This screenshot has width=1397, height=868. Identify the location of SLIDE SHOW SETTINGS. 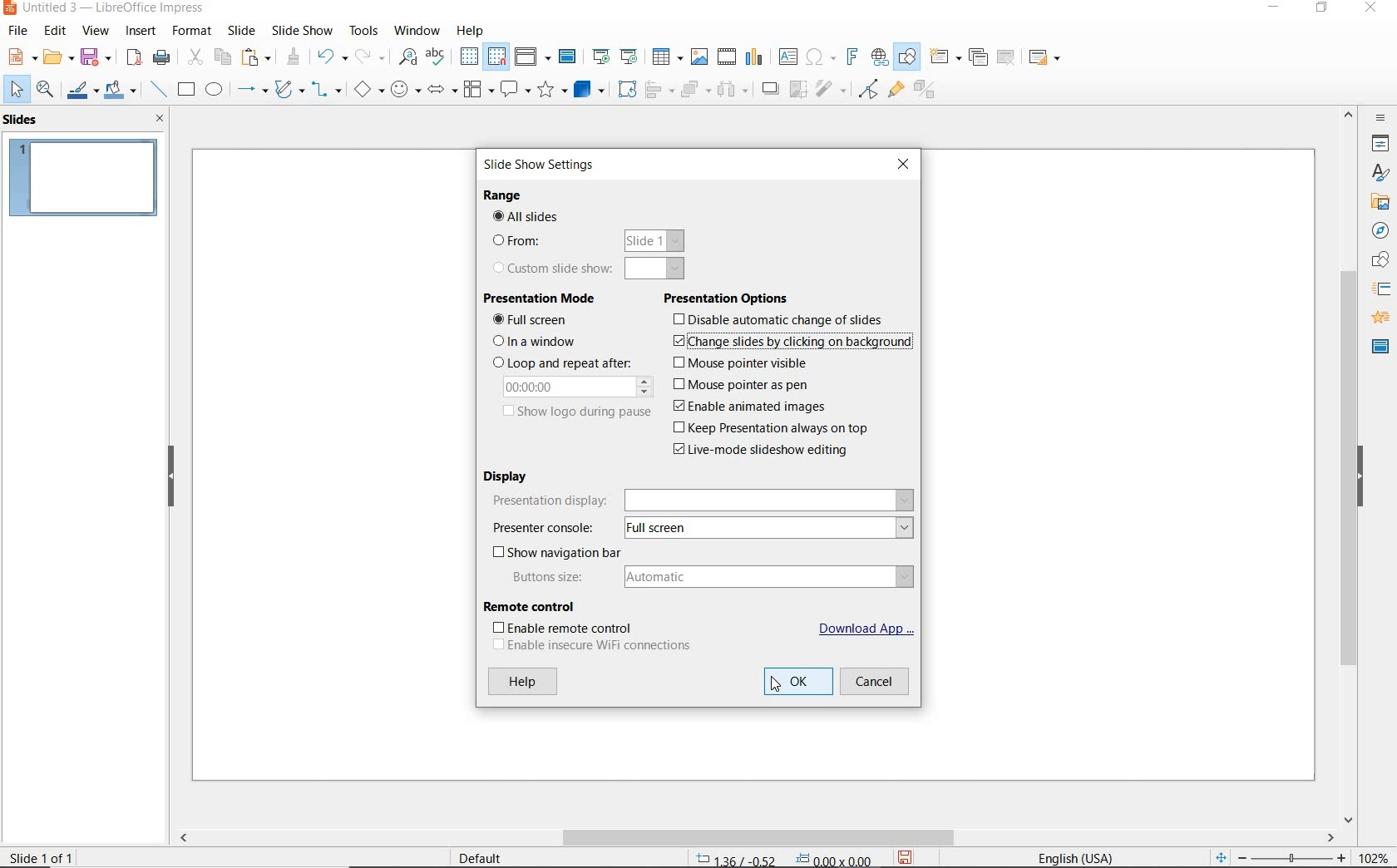
(555, 165).